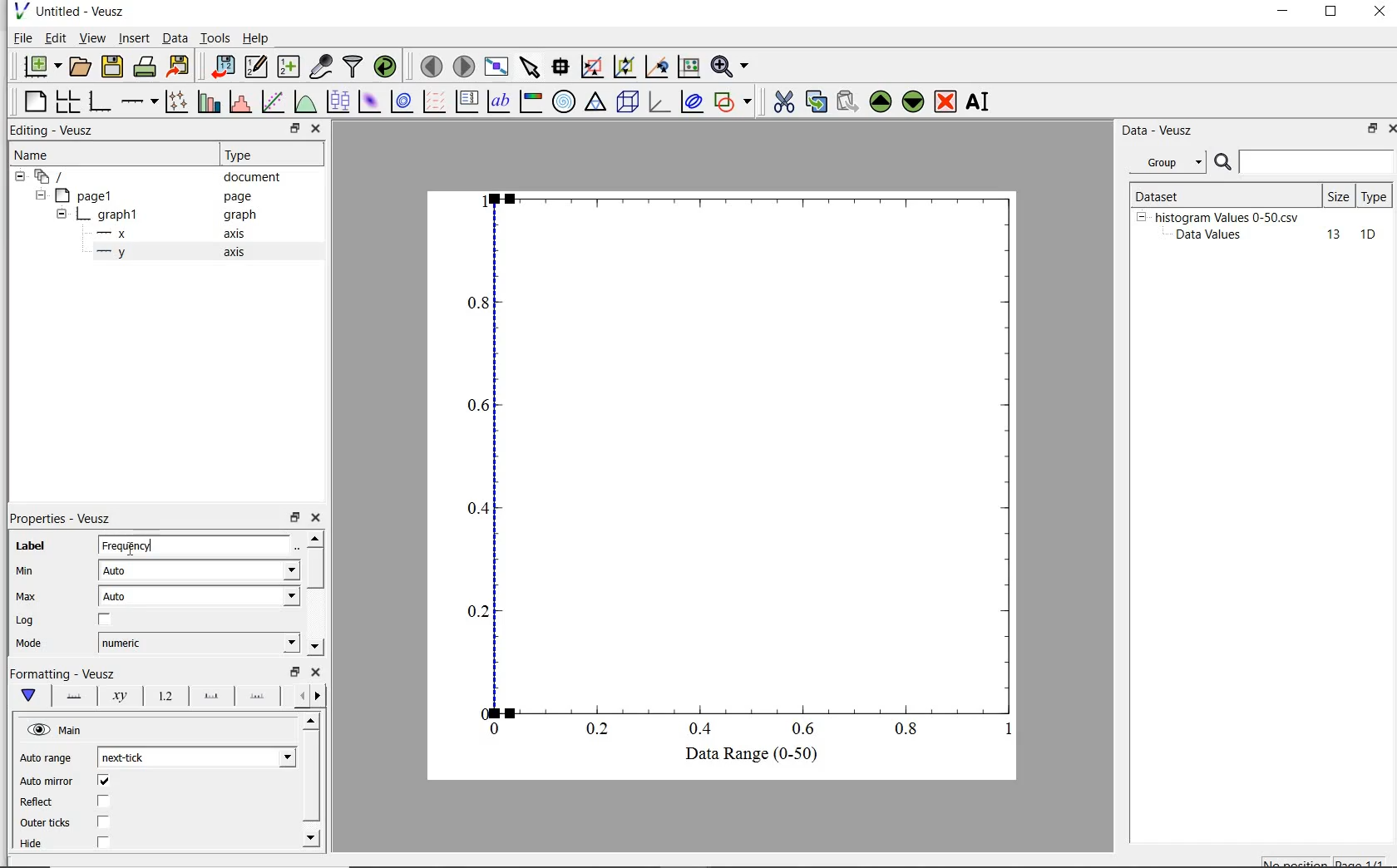 This screenshot has width=1397, height=868. I want to click on move up, so click(314, 538).